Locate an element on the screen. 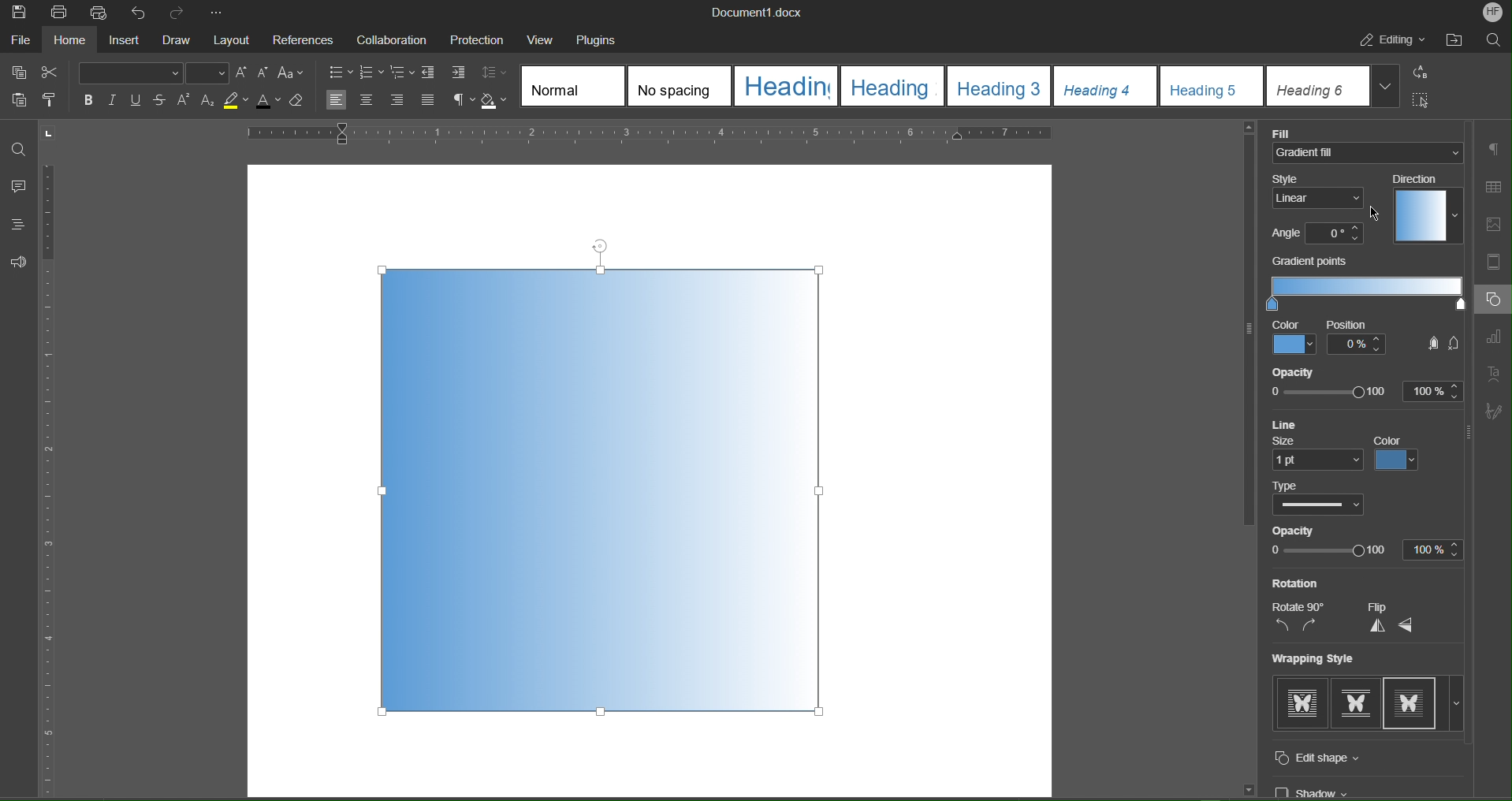 Image resolution: width=1512 pixels, height=801 pixels. Size is located at coordinates (1297, 440).